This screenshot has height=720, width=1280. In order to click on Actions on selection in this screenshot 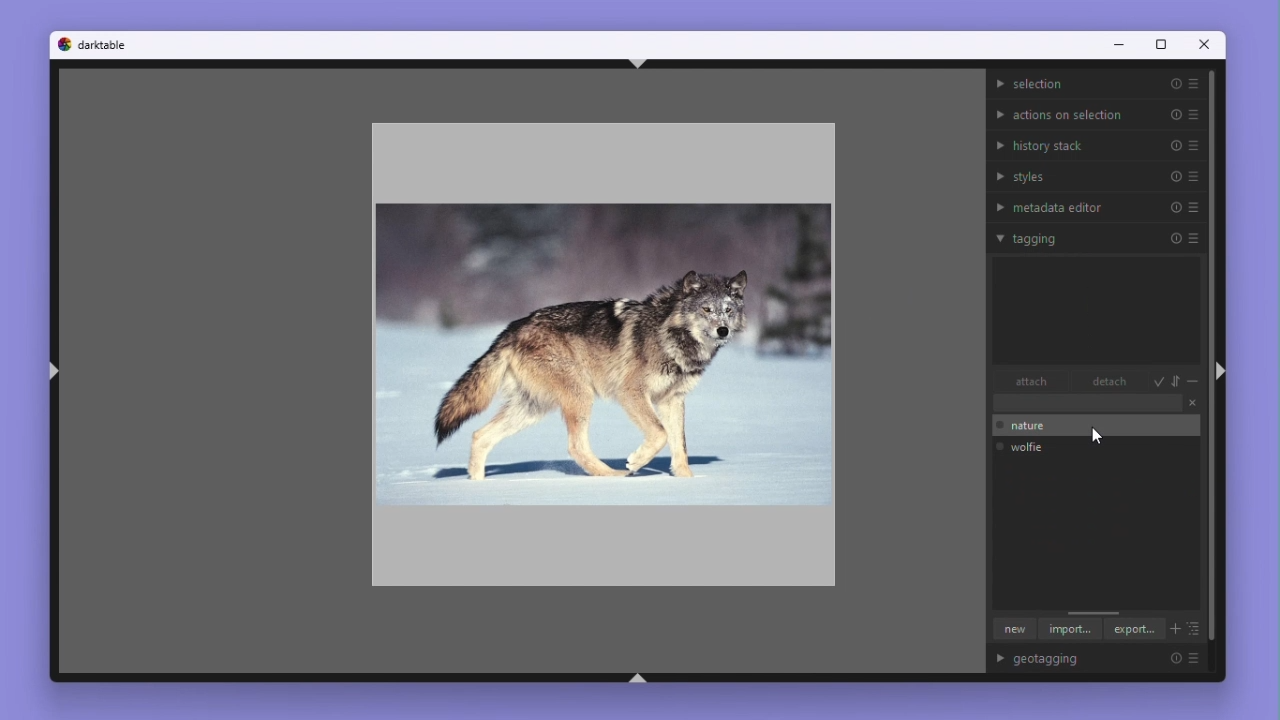, I will do `click(1096, 112)`.